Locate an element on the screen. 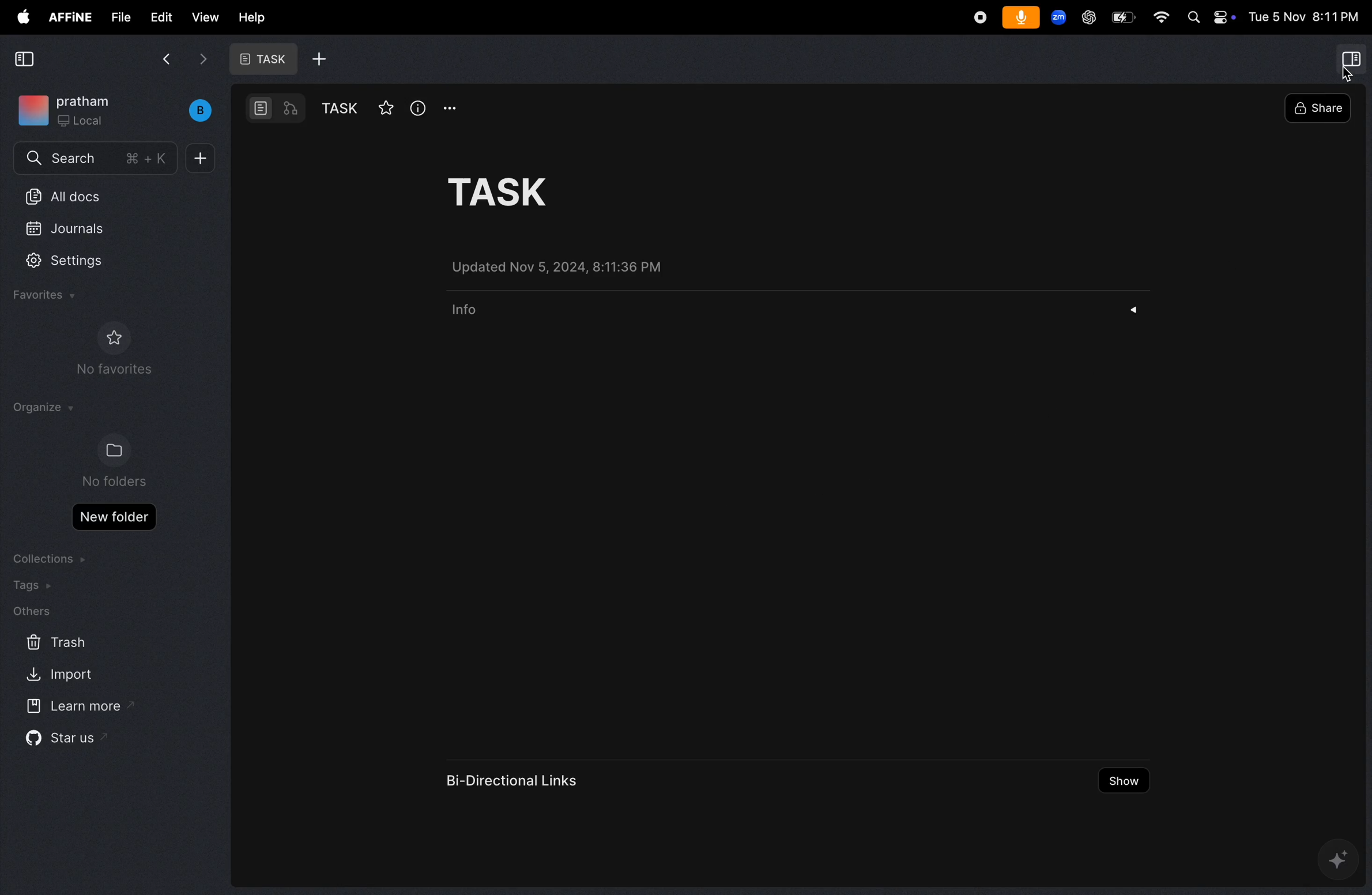 This screenshot has width=1372, height=895. cursor is located at coordinates (1350, 74).